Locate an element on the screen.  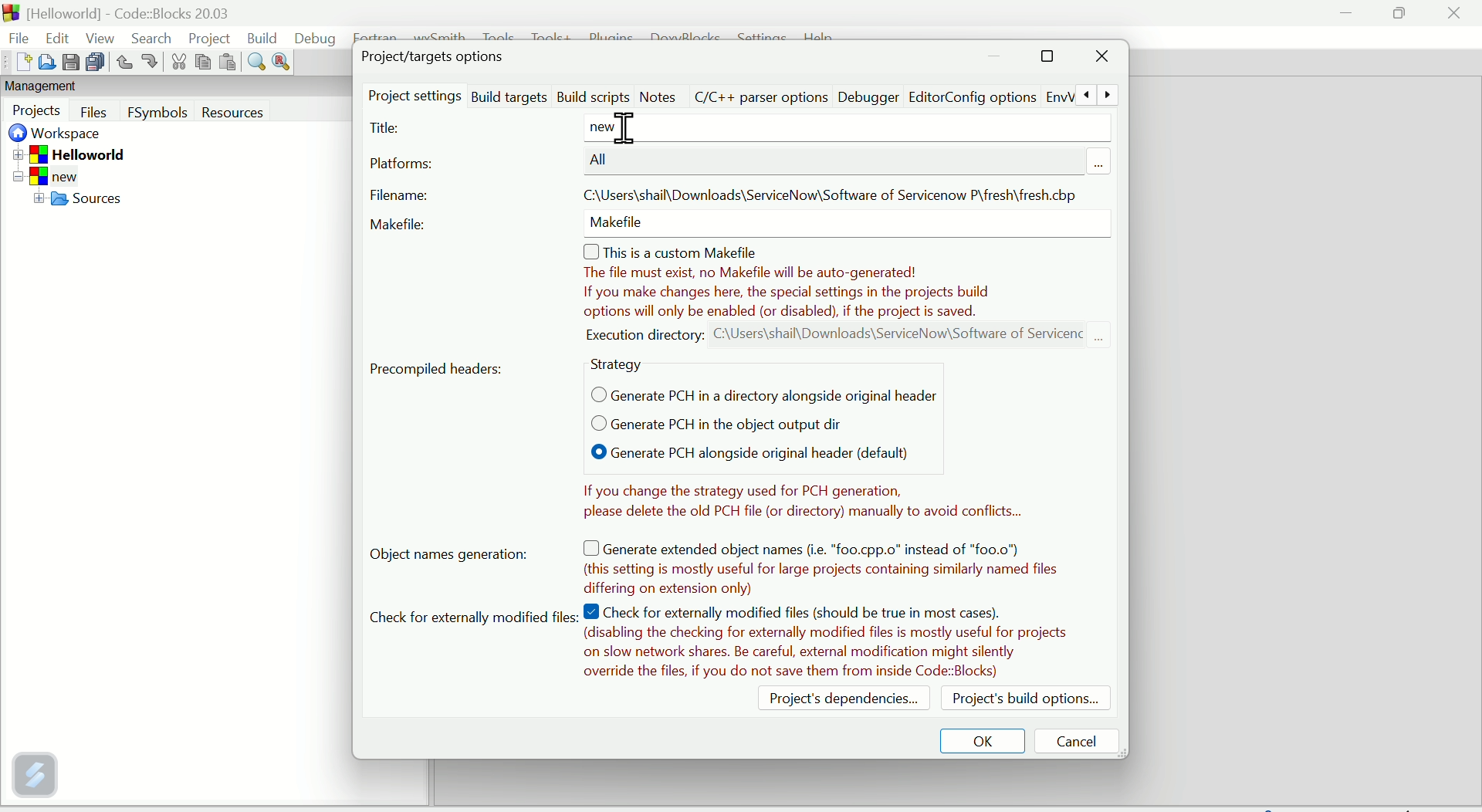
New is located at coordinates (17, 63).